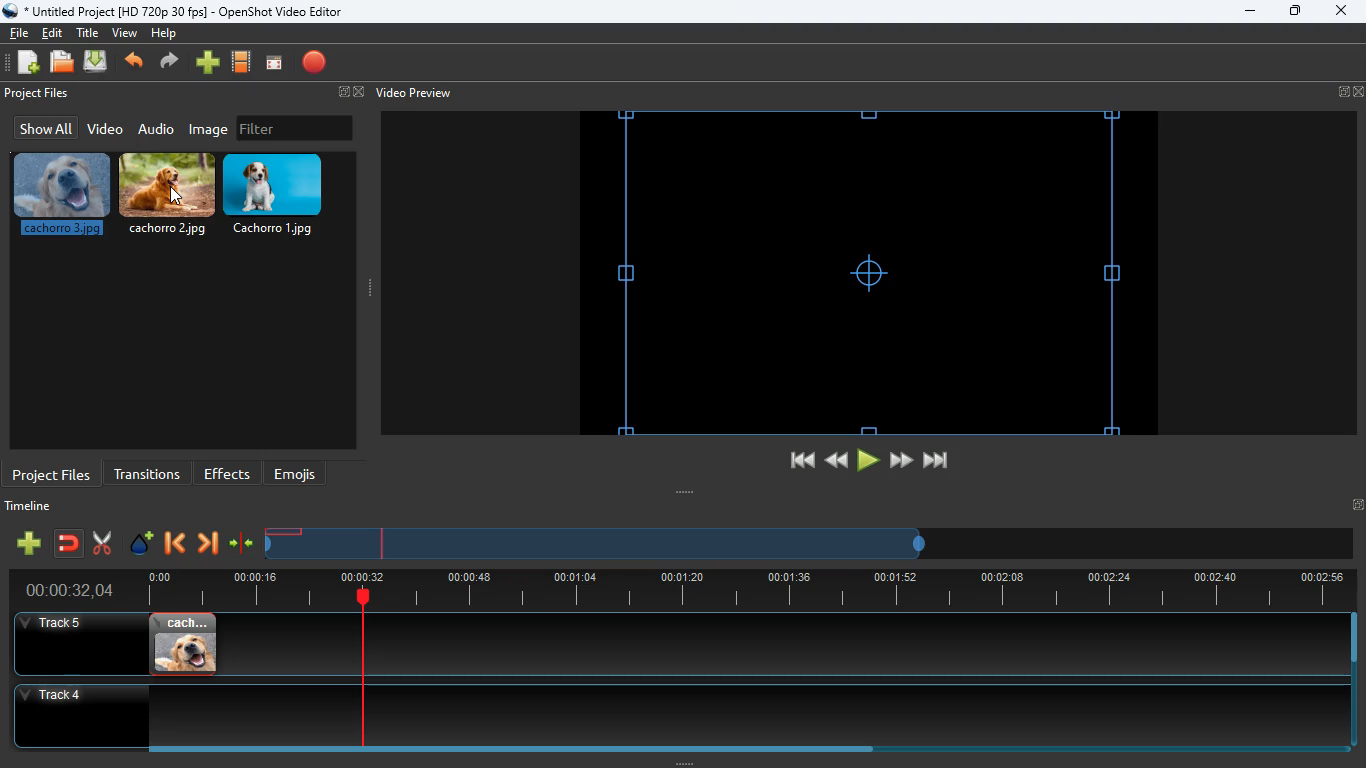 This screenshot has width=1366, height=768. What do you see at coordinates (228, 473) in the screenshot?
I see `effects` at bounding box center [228, 473].